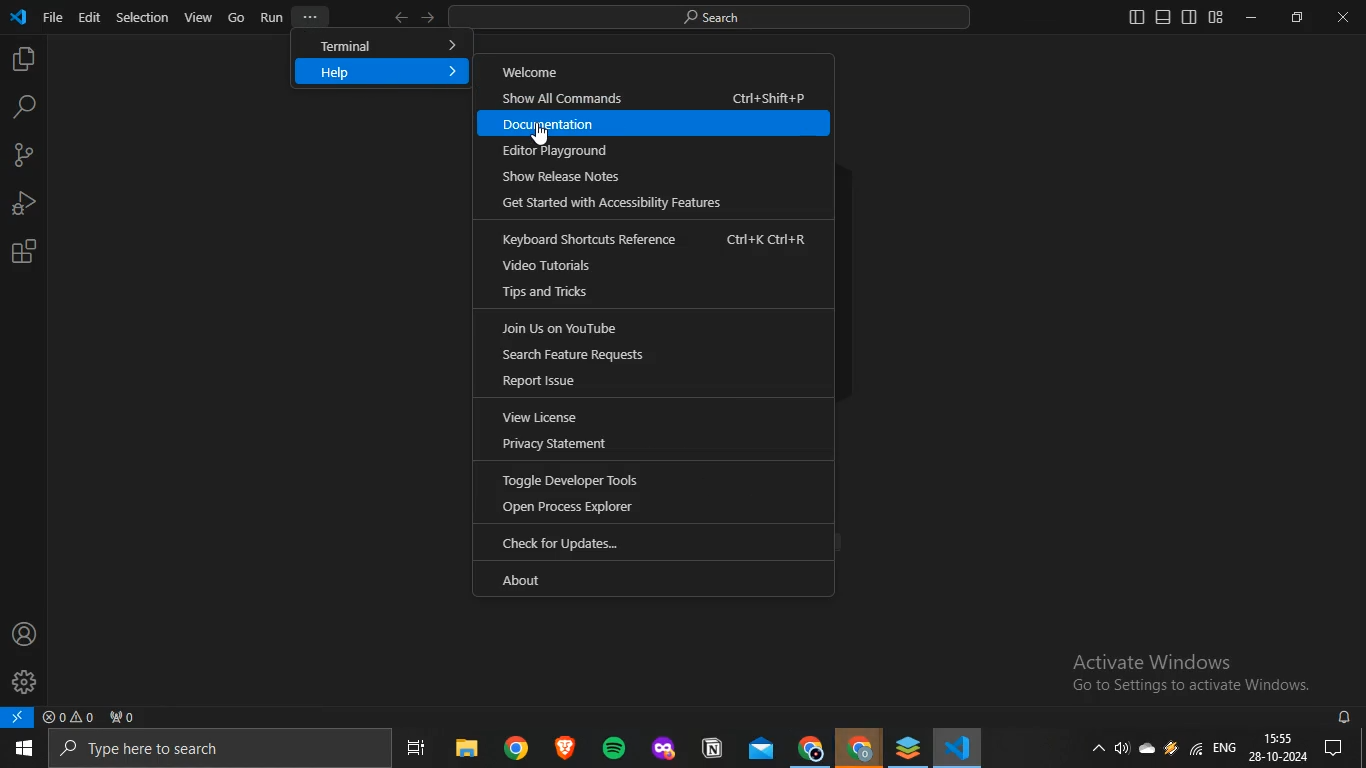 This screenshot has height=768, width=1366. I want to click on google chrome, so click(513, 750).